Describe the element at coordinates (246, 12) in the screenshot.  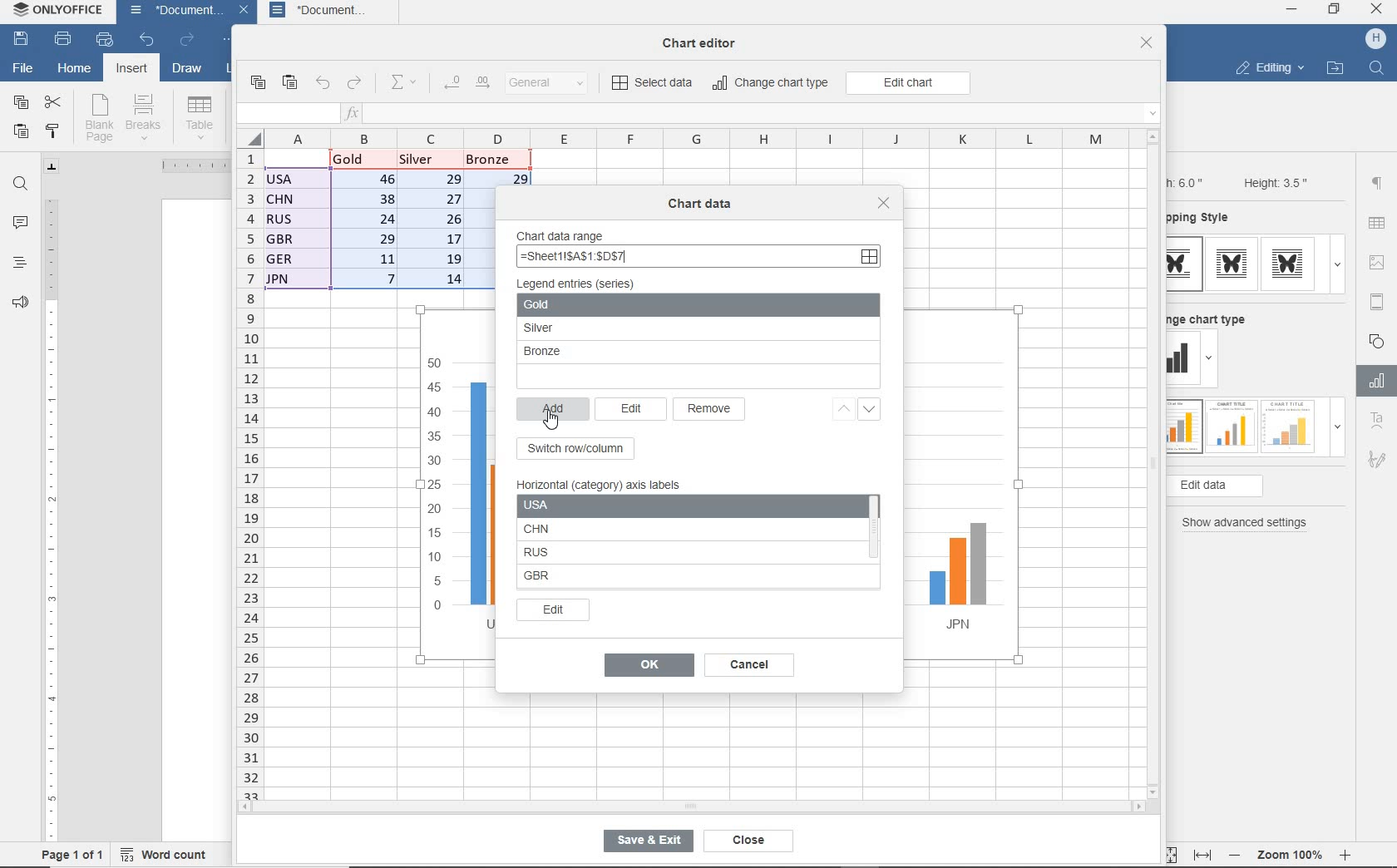
I see `close` at that location.